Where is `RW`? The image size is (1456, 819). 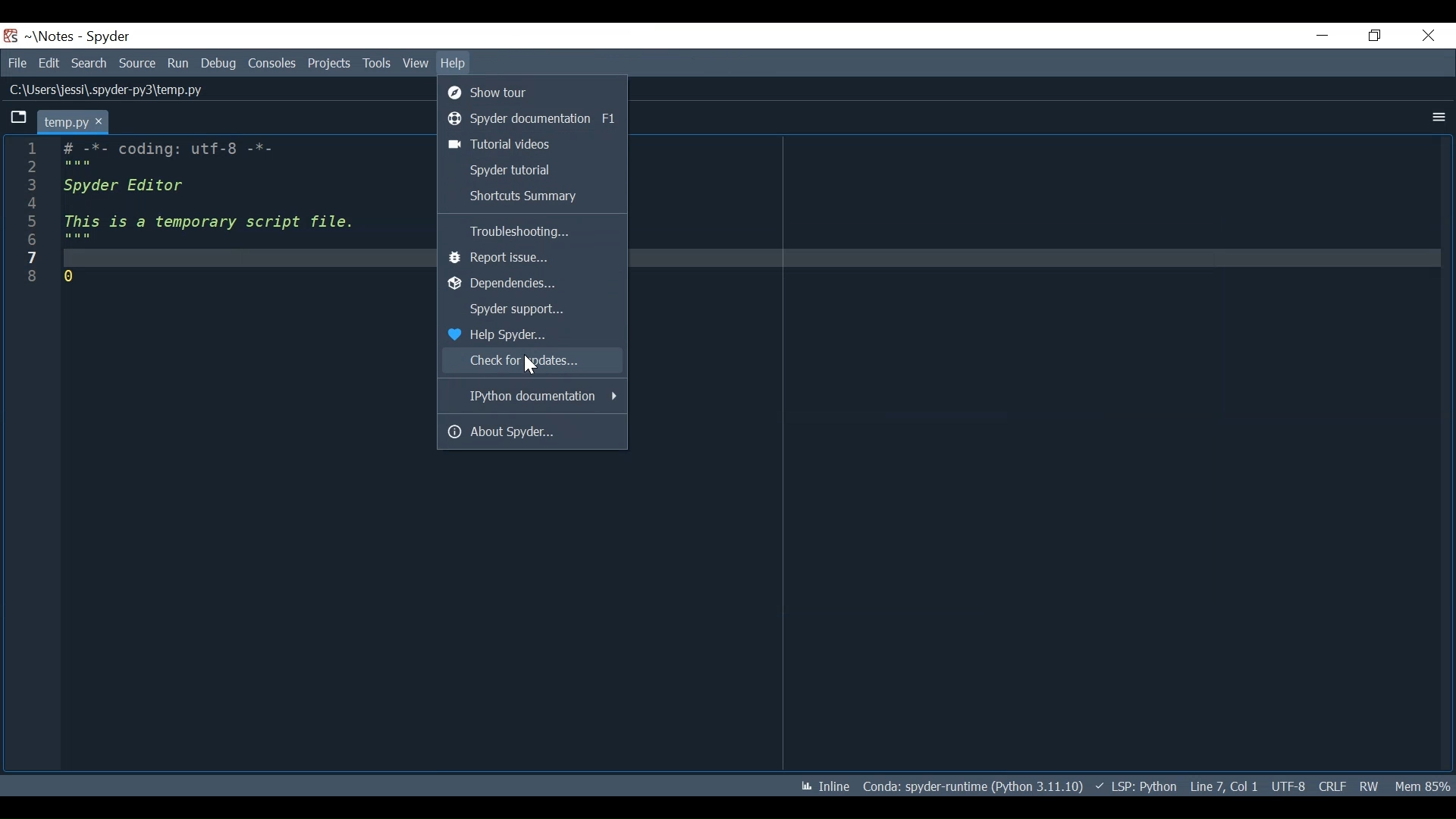
RW is located at coordinates (1371, 786).